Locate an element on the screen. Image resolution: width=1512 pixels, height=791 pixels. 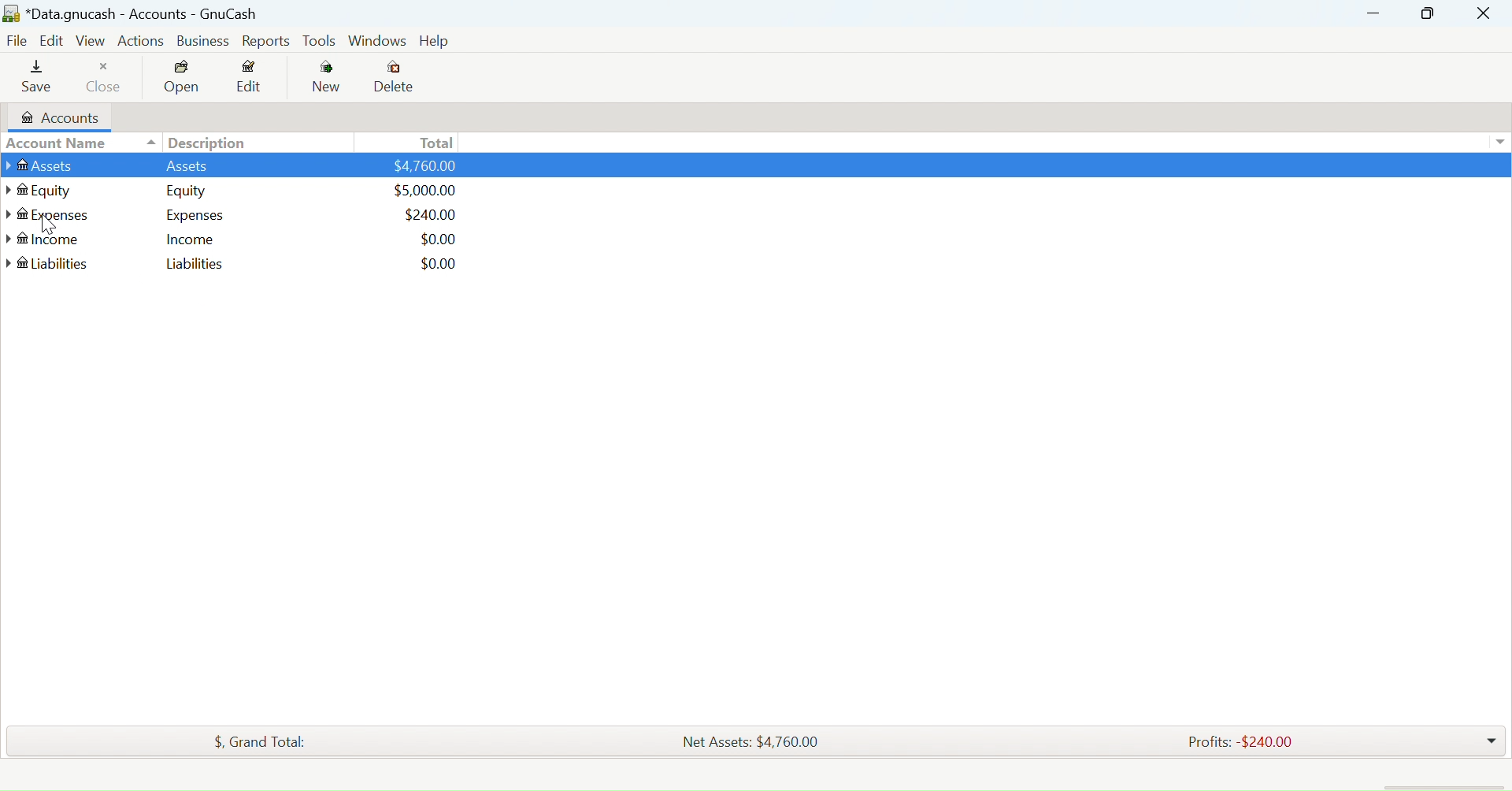
$, Grand Total: is located at coordinates (258, 741).